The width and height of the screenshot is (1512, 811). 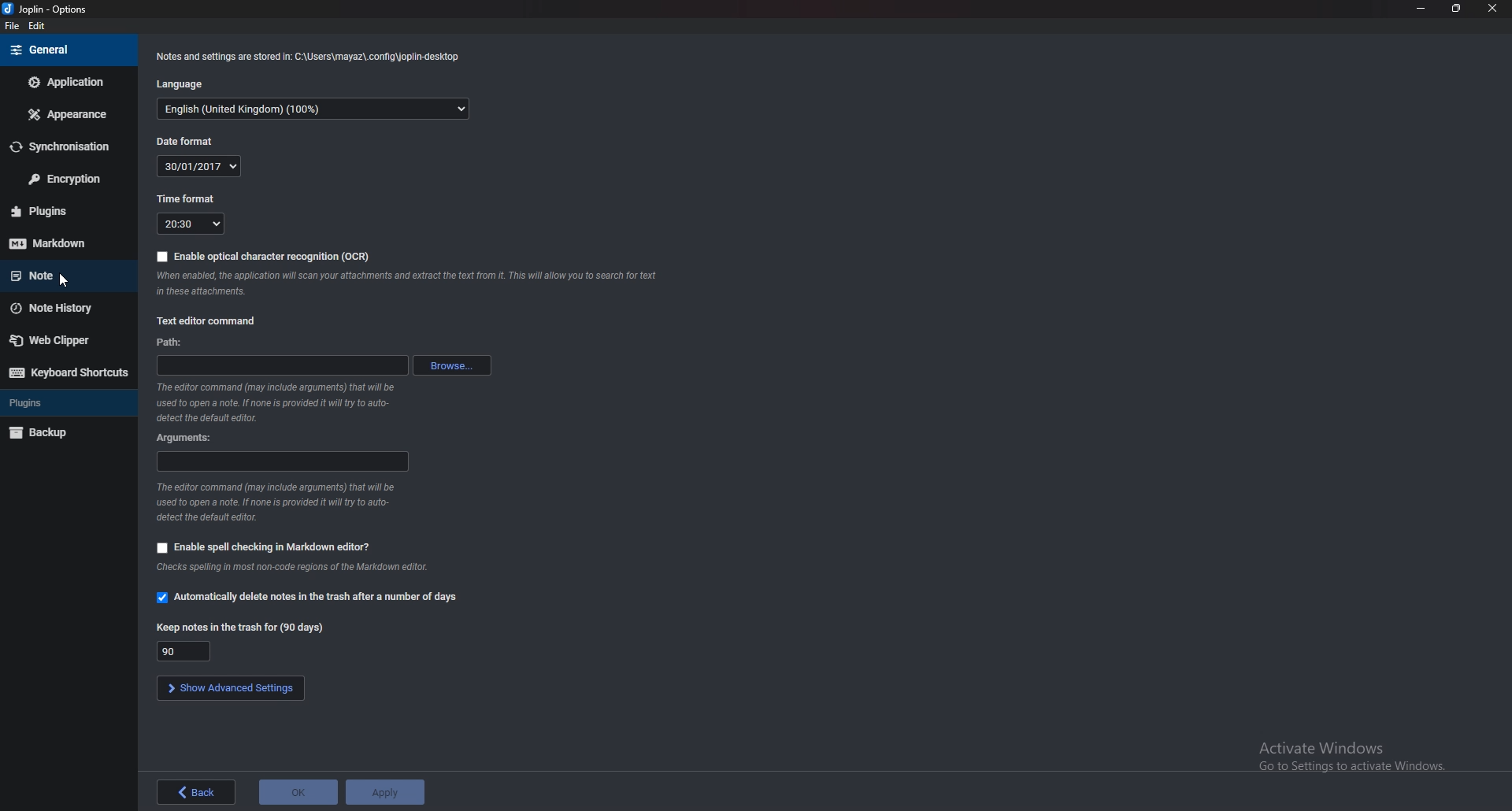 I want to click on Info, so click(x=309, y=56).